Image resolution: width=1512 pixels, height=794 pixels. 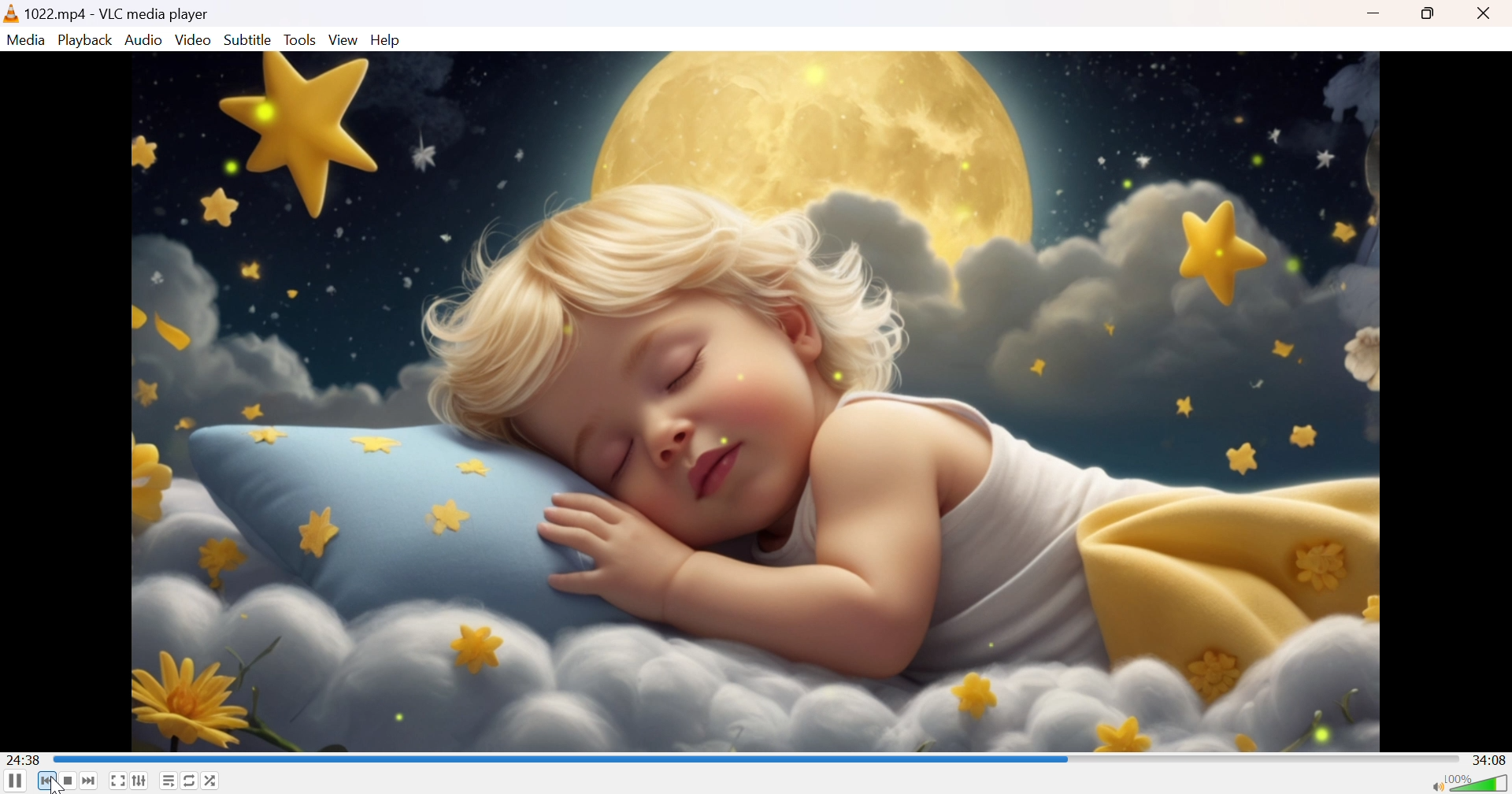 I want to click on cursor, so click(x=56, y=785).